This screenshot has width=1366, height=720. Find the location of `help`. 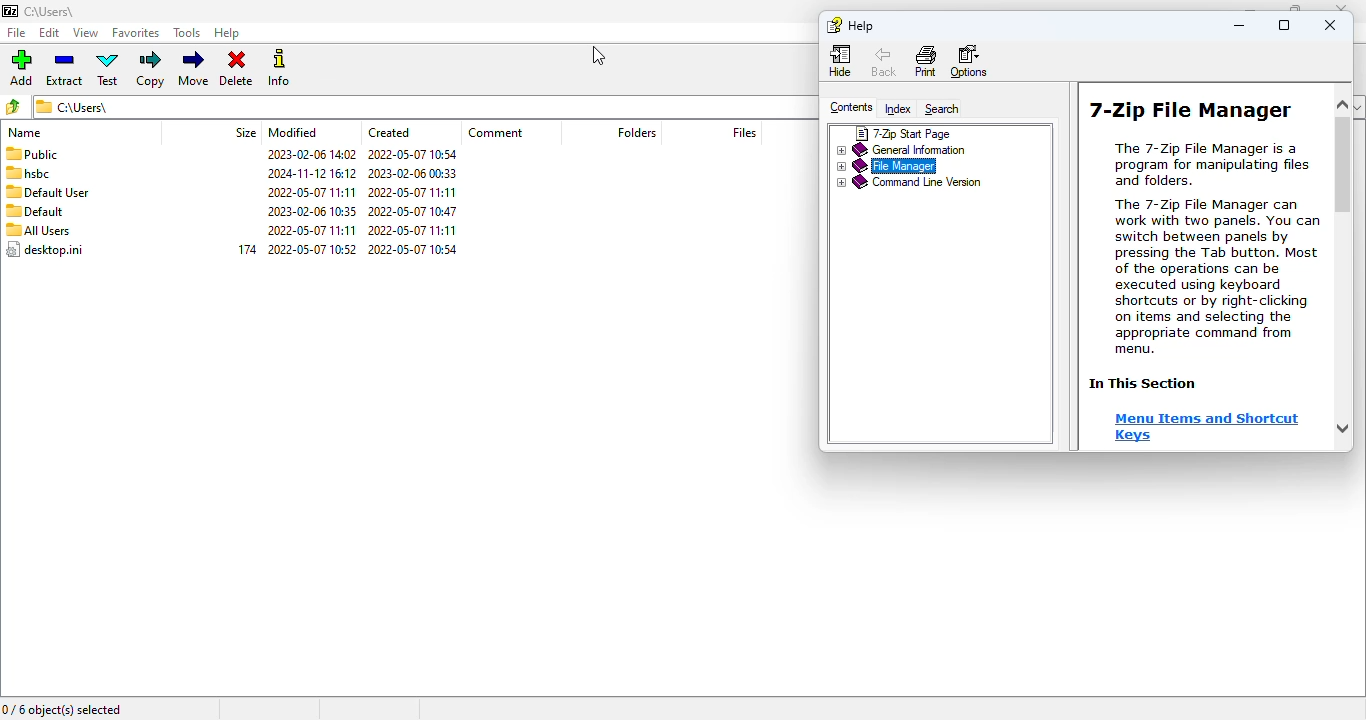

help is located at coordinates (227, 34).